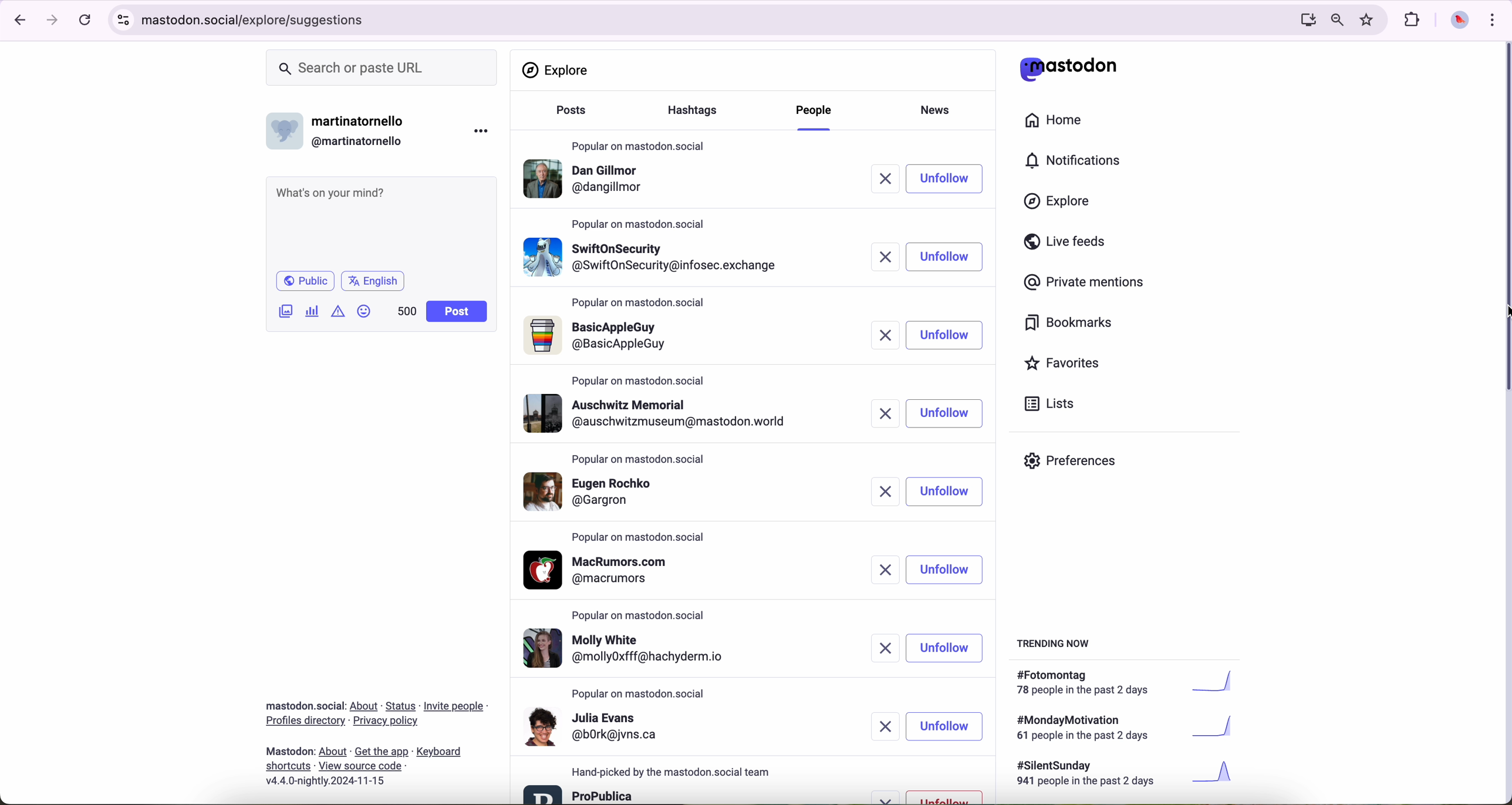 This screenshot has height=805, width=1512. Describe the element at coordinates (406, 311) in the screenshot. I see `500 characters` at that location.